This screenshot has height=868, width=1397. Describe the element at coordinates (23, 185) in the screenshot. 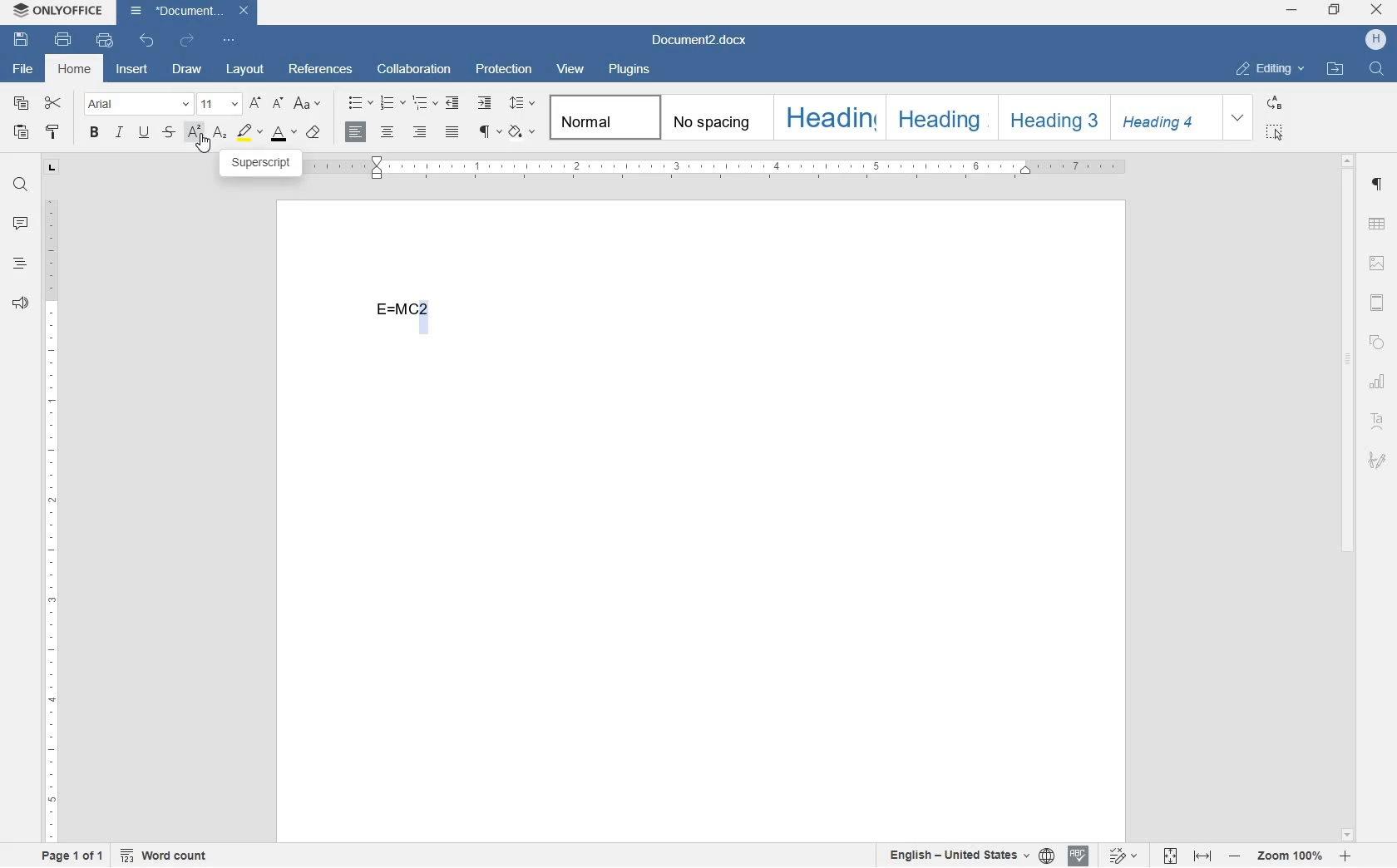

I see `find` at that location.